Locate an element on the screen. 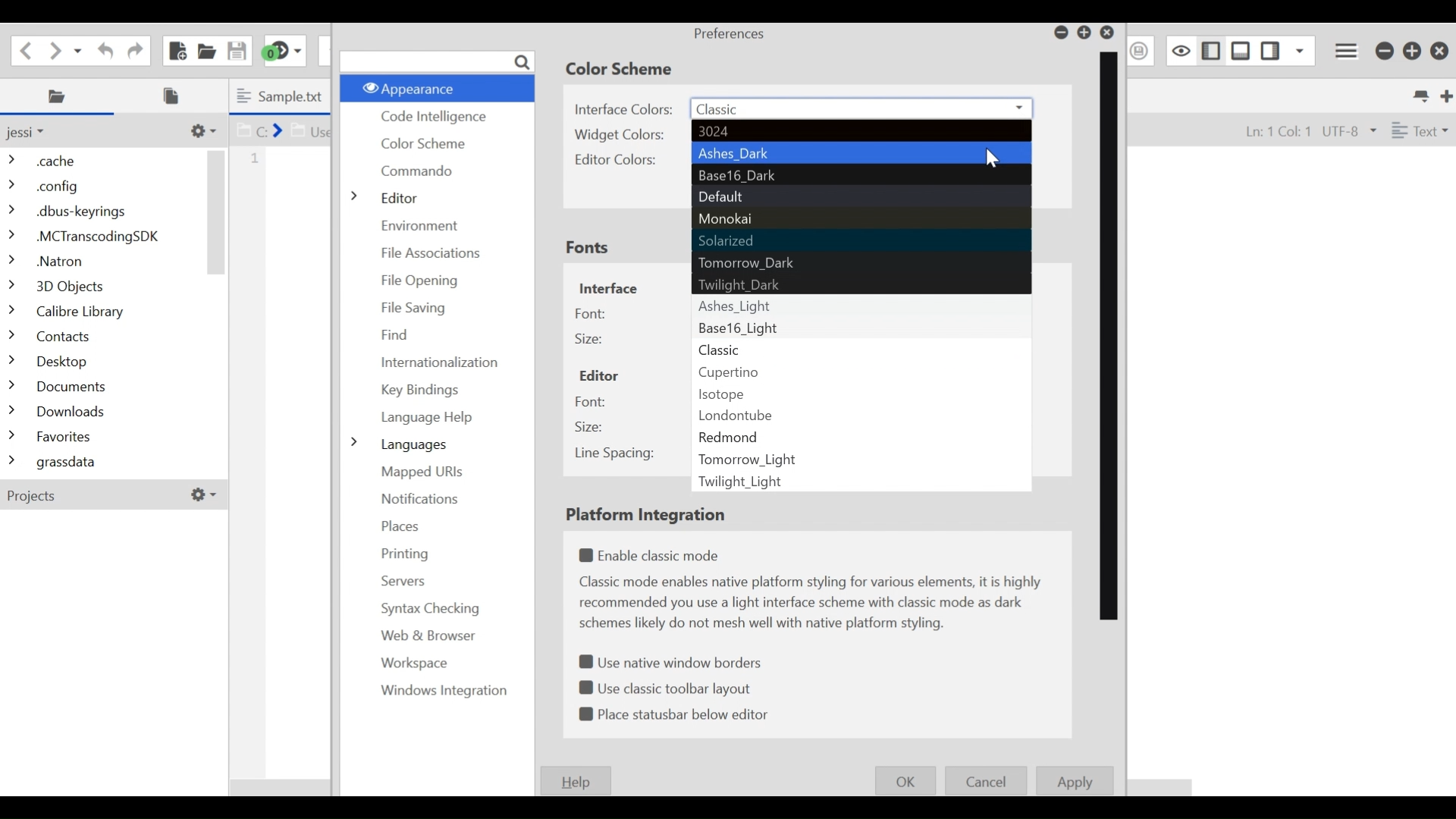 The height and width of the screenshot is (819, 1456). File Encoding dropdown menu is located at coordinates (1348, 131).